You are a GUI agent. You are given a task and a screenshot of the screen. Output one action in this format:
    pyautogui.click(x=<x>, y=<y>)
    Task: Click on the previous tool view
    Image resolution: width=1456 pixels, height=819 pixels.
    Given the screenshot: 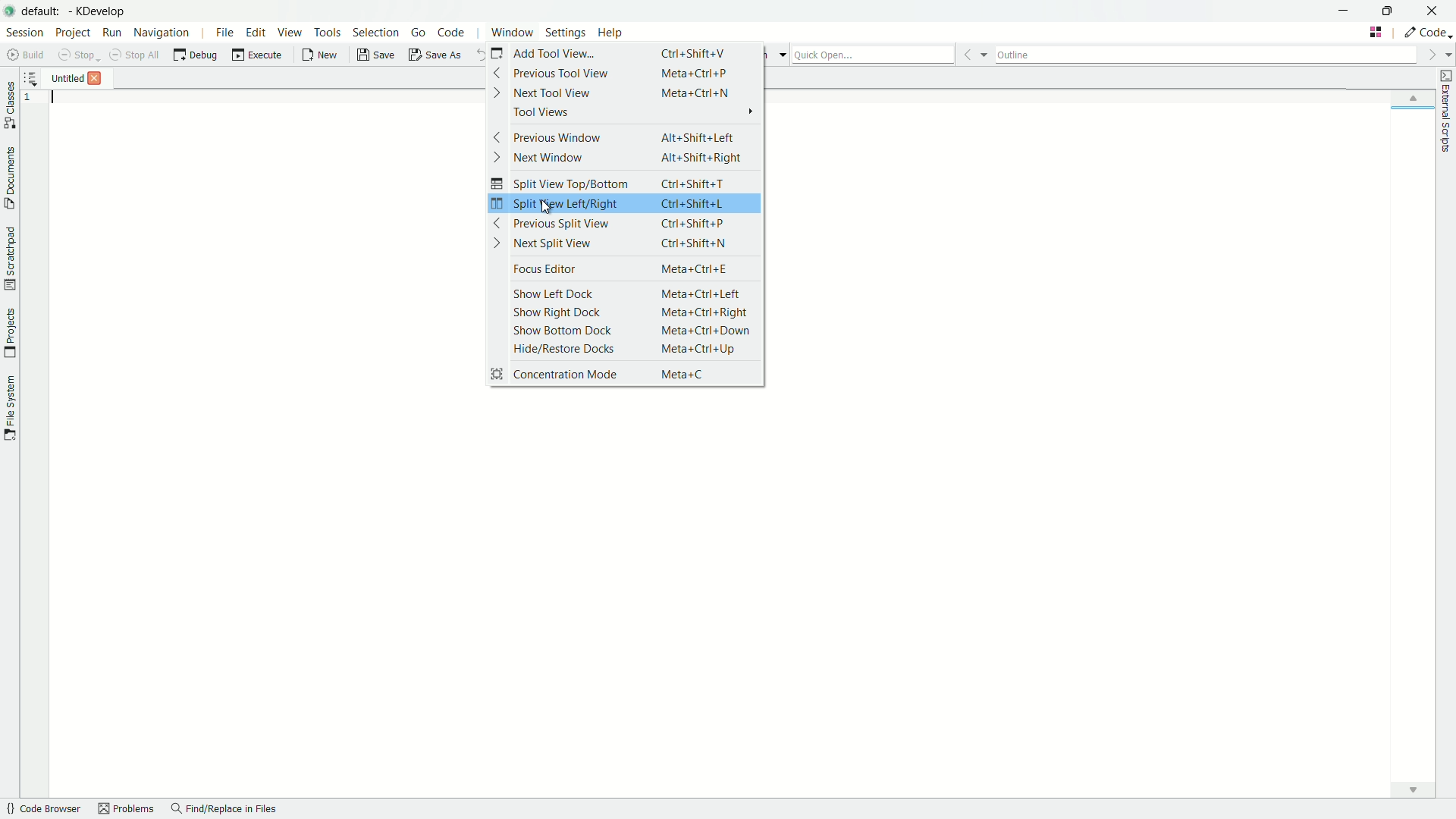 What is the action you would take?
    pyautogui.click(x=562, y=74)
    